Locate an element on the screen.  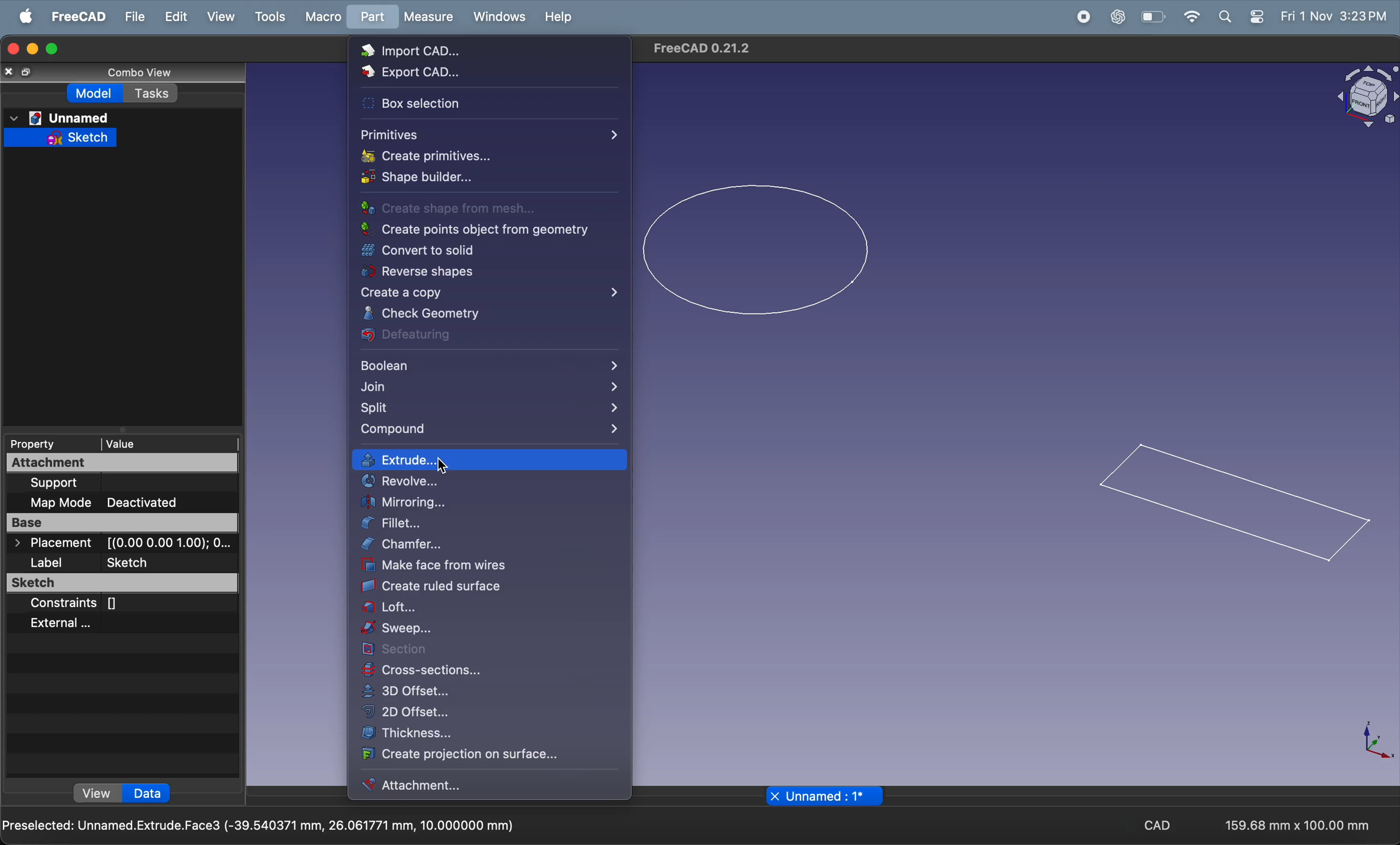
Create primitives... is located at coordinates (427, 156).